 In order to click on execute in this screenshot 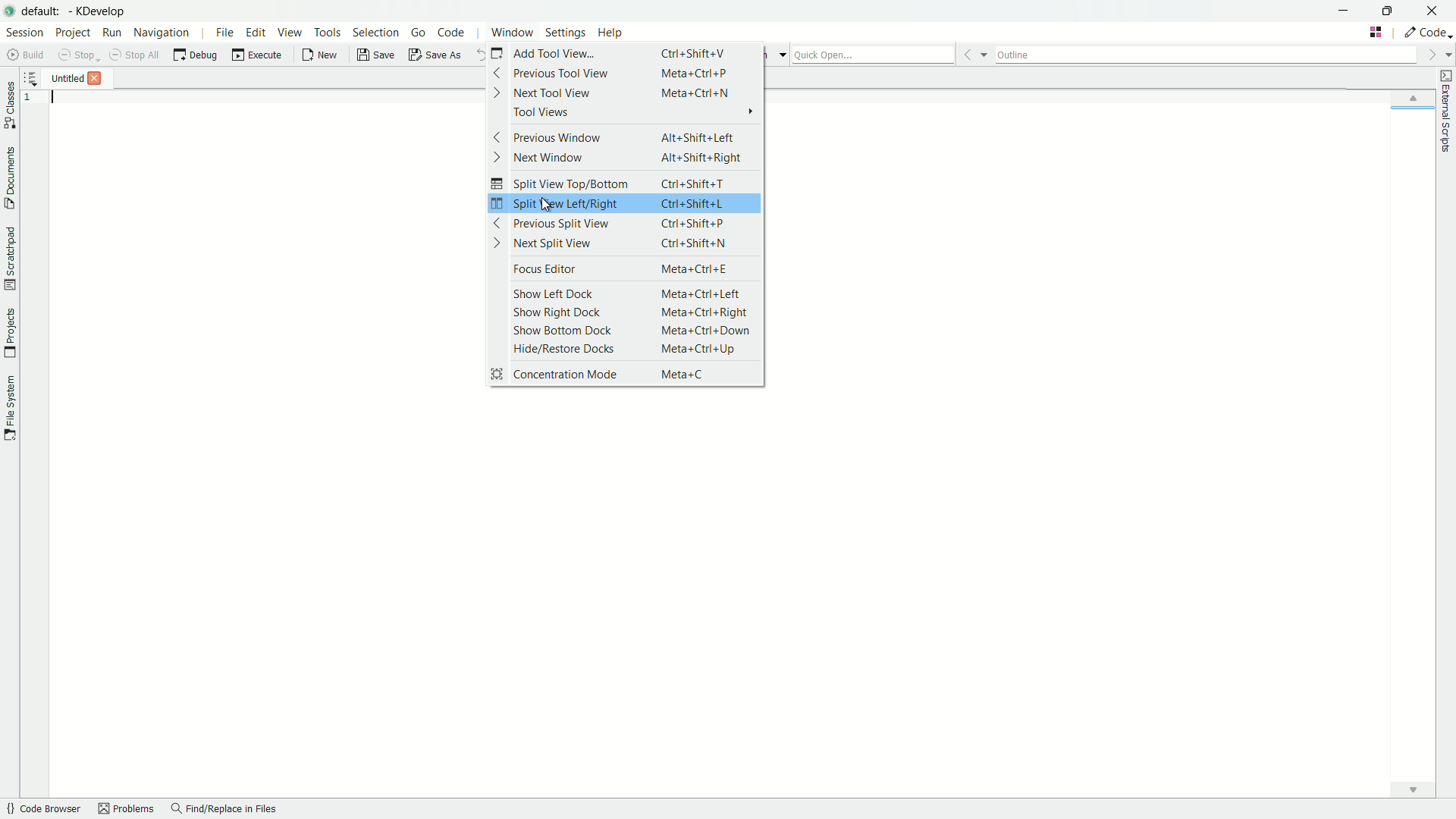, I will do `click(257, 55)`.